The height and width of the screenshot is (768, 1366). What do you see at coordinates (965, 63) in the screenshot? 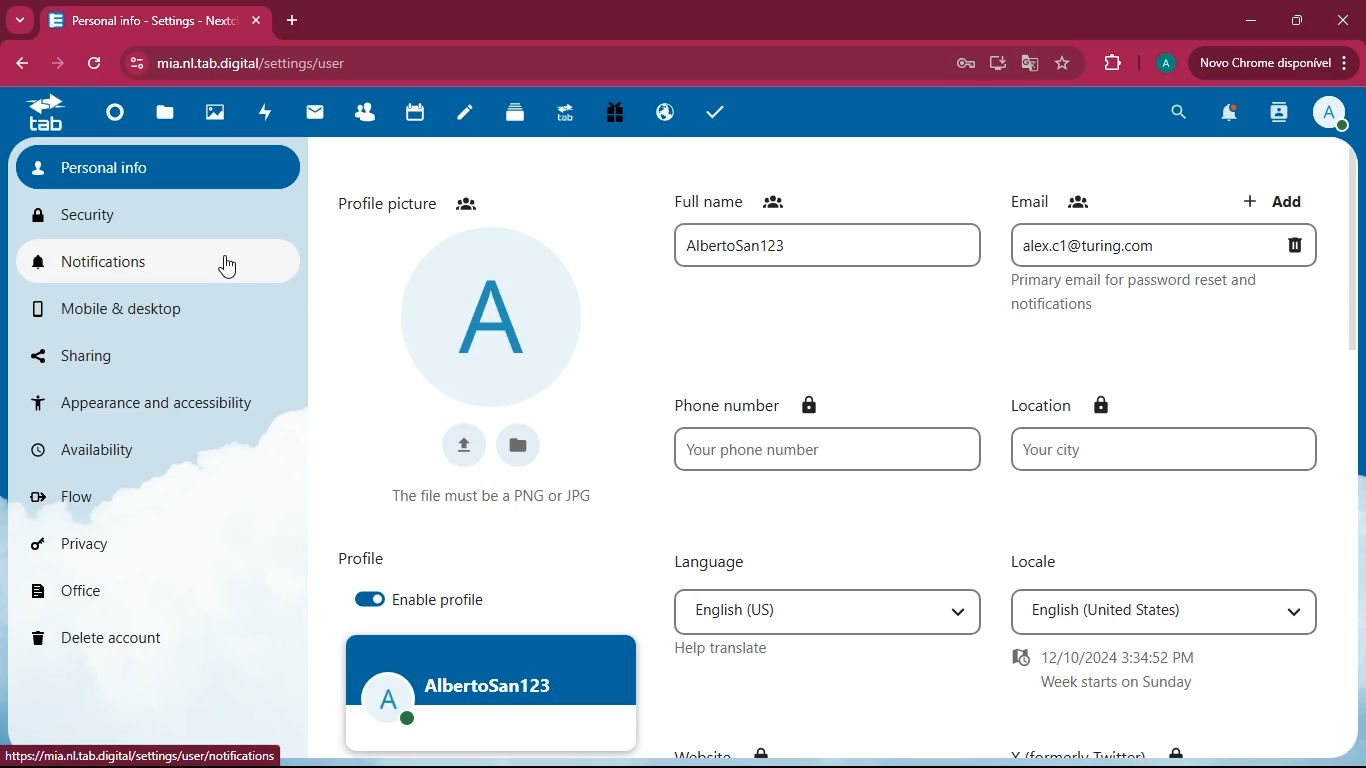
I see `manage password` at bounding box center [965, 63].